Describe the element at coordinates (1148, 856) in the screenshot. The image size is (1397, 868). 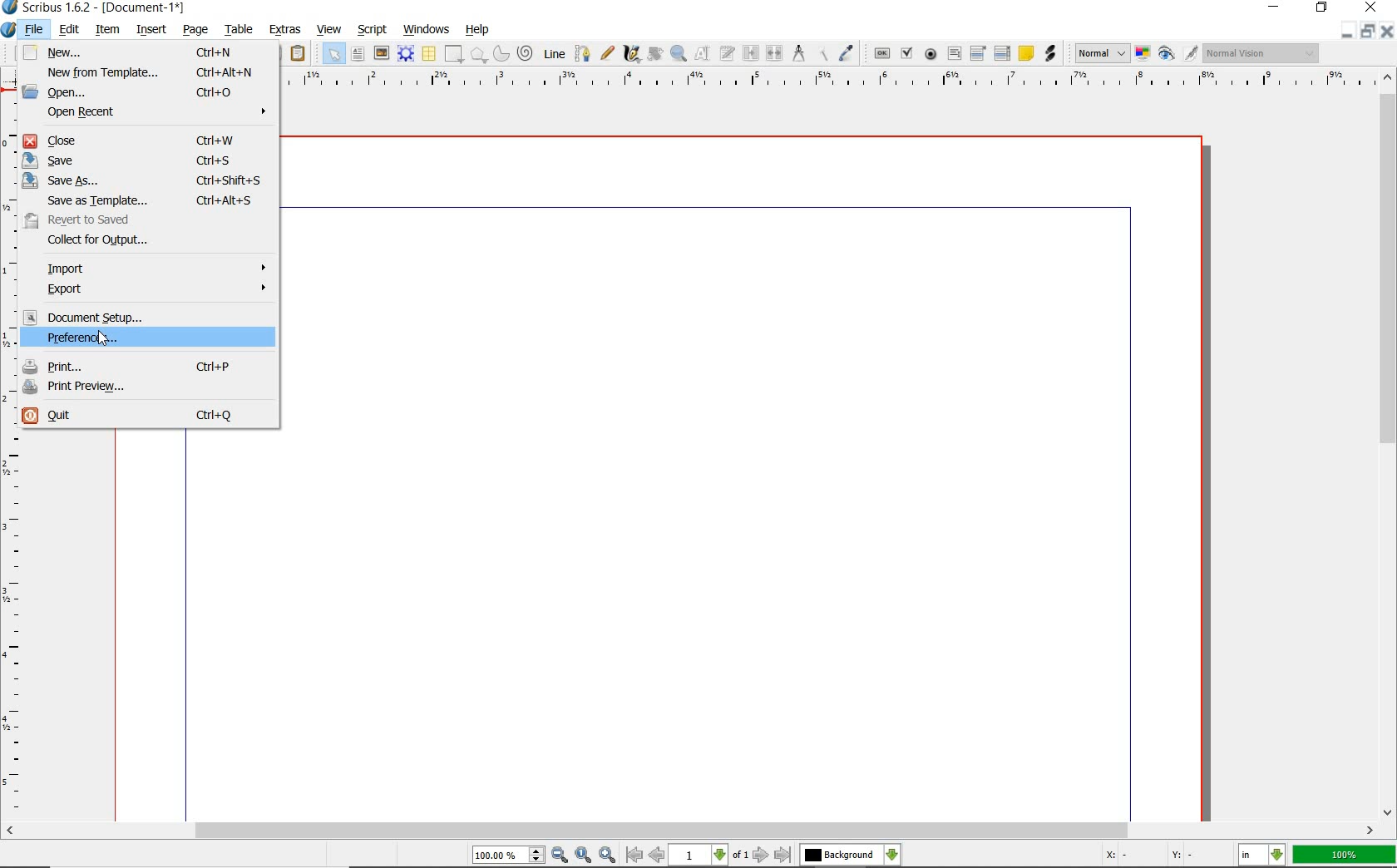
I see `coordinates` at that location.